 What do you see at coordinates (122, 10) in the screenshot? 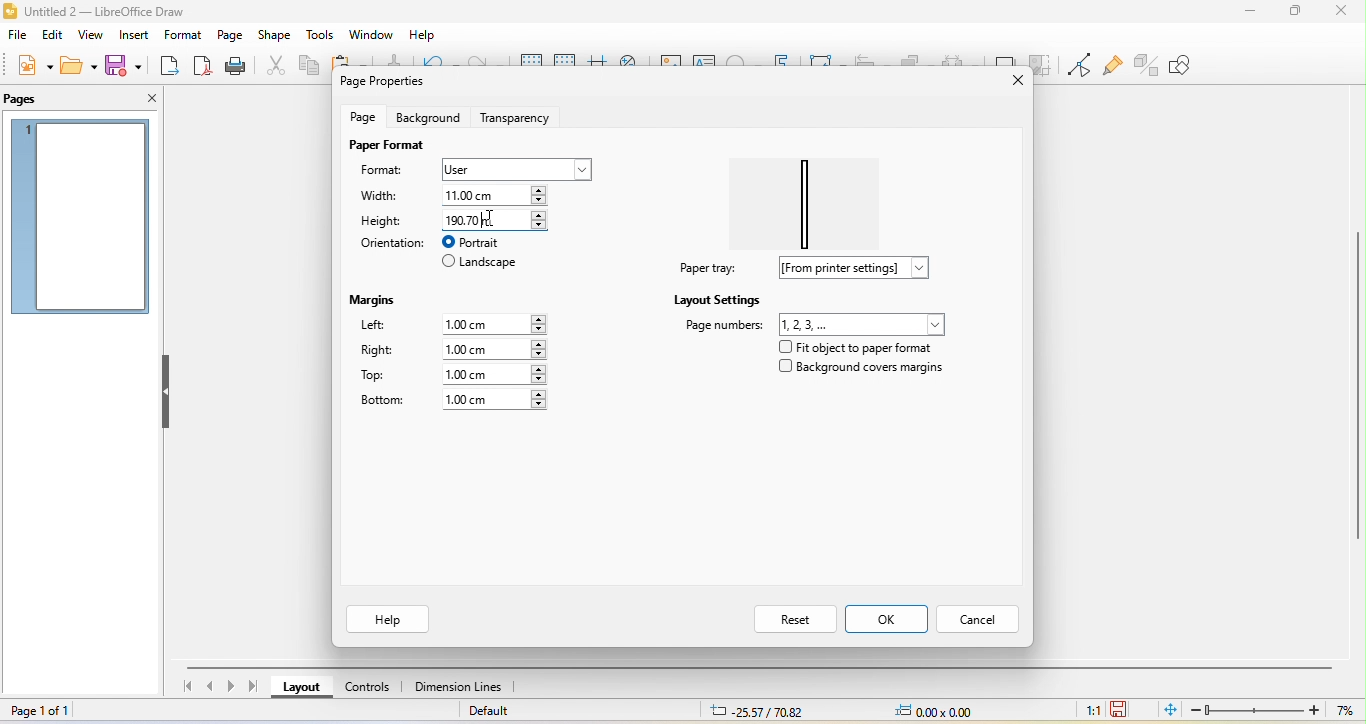
I see `title` at bounding box center [122, 10].